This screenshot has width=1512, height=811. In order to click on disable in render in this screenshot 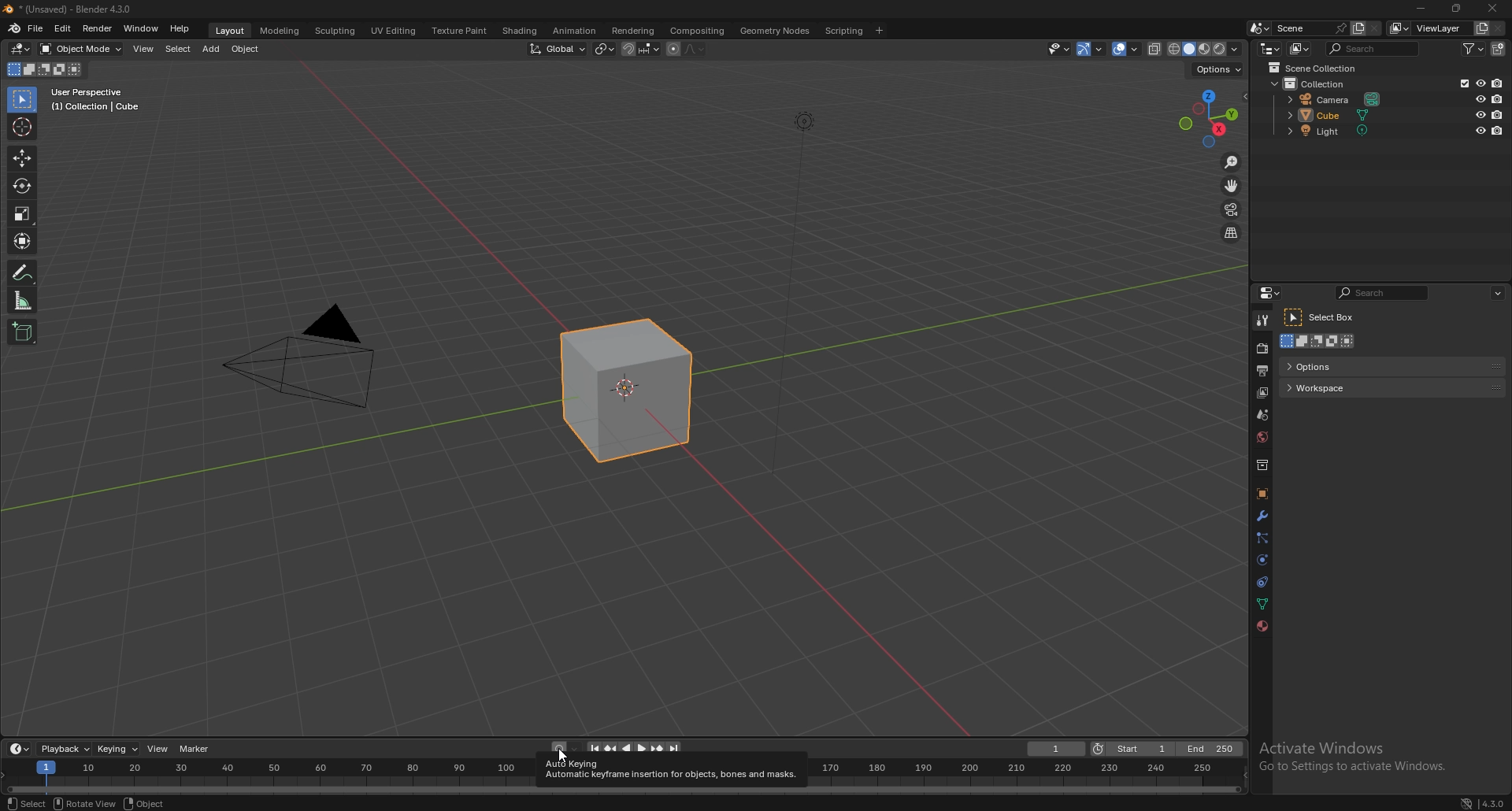, I will do `click(1497, 98)`.